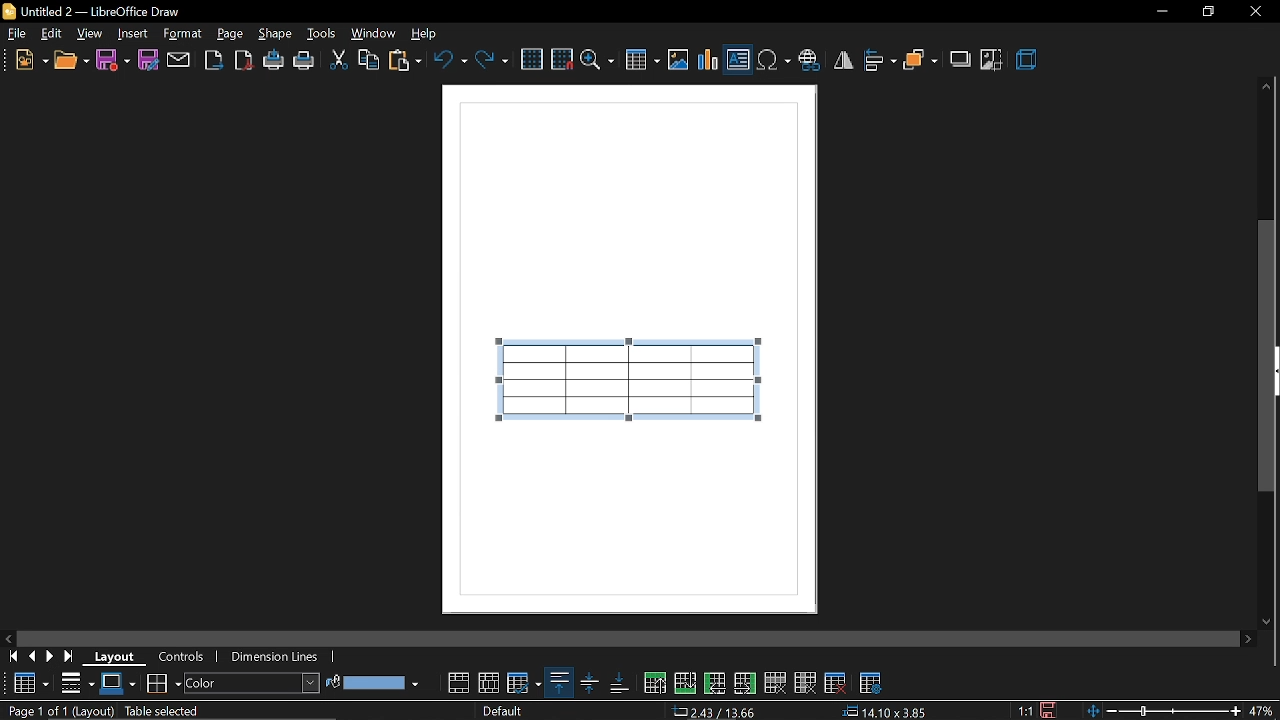 The image size is (1280, 720). Describe the element at coordinates (642, 59) in the screenshot. I see `insert table` at that location.